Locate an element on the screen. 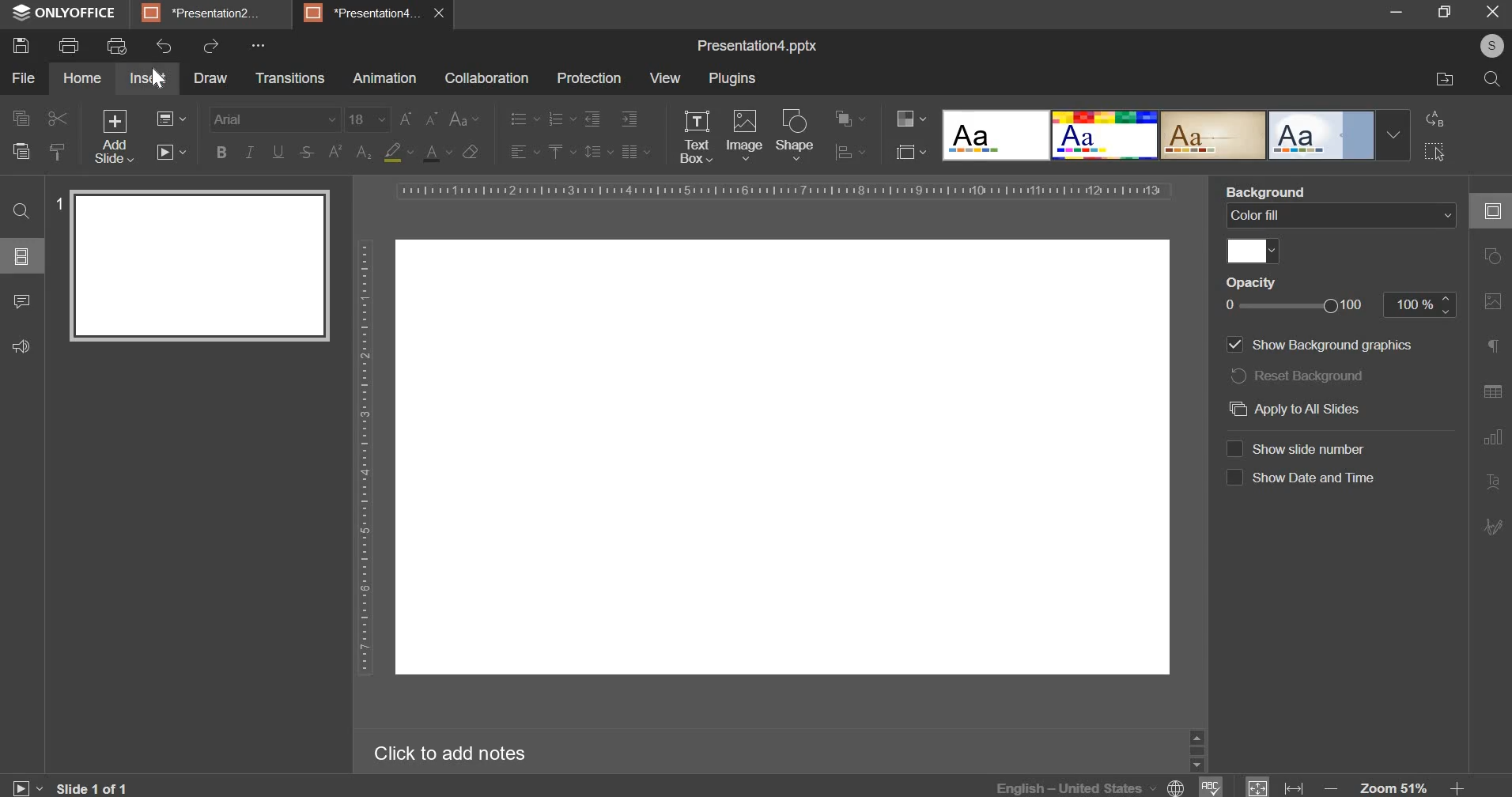  find is located at coordinates (23, 211).